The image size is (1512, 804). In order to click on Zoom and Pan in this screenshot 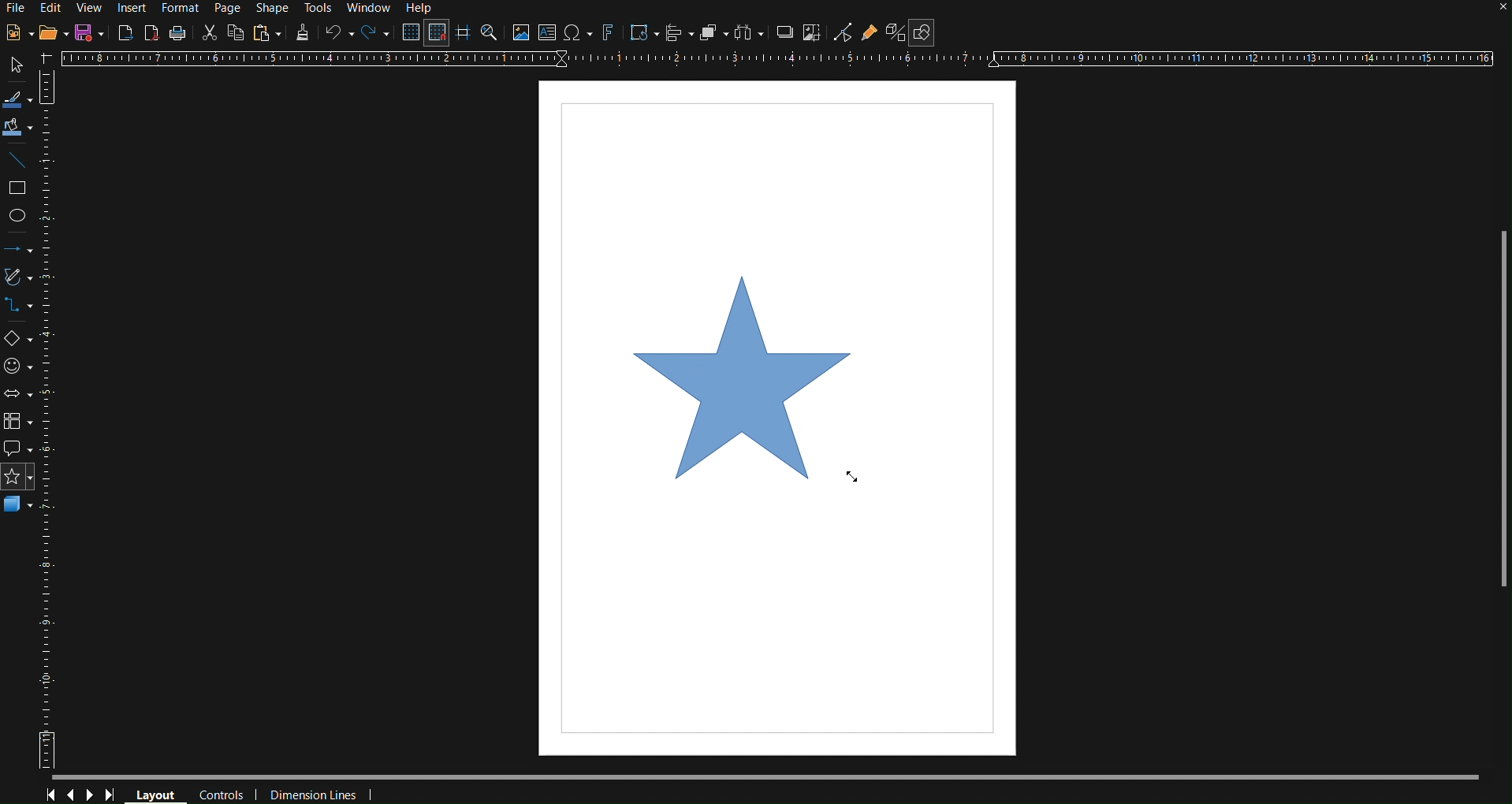, I will do `click(491, 34)`.